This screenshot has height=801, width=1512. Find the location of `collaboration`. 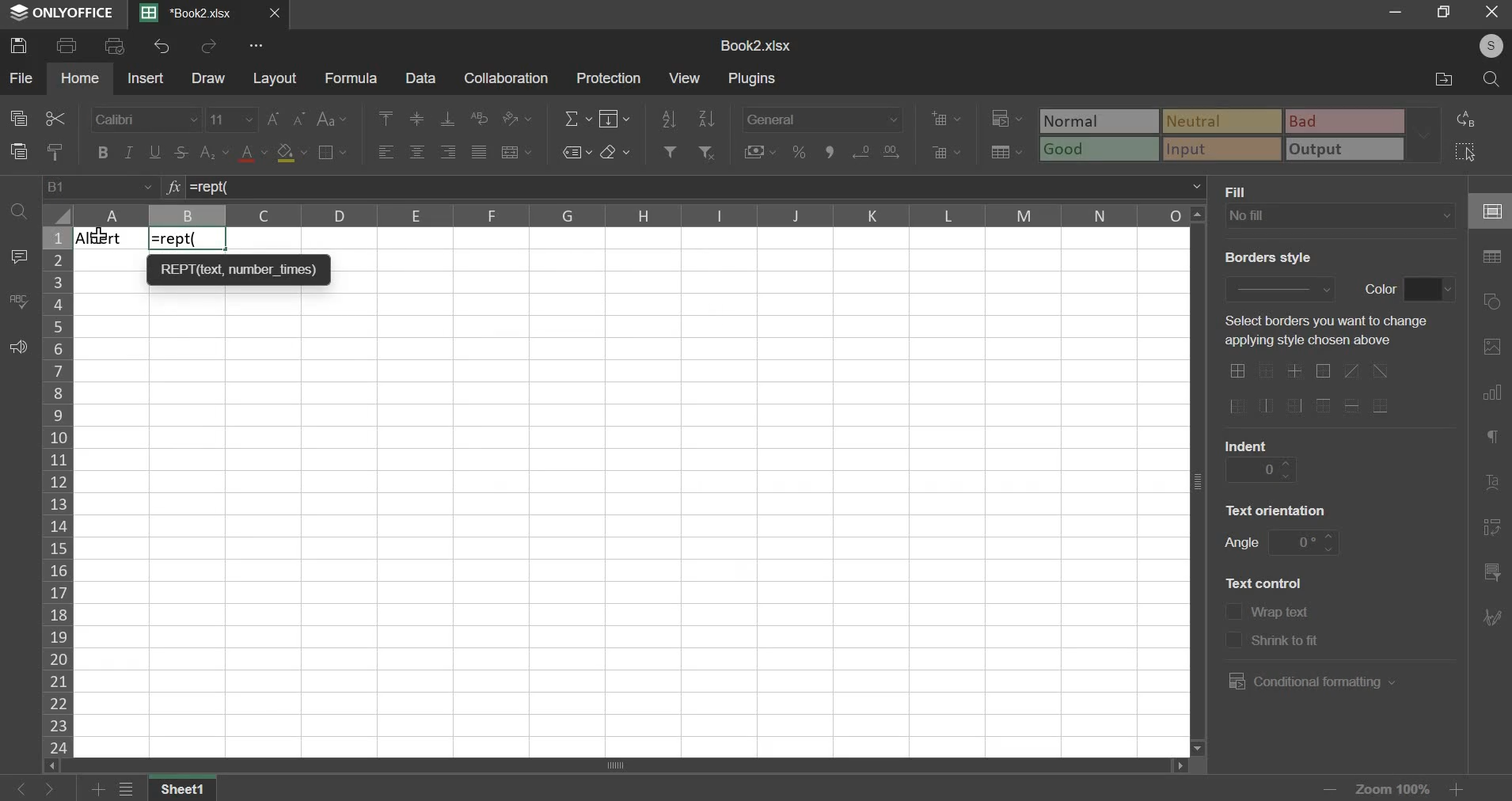

collaboration is located at coordinates (507, 78).